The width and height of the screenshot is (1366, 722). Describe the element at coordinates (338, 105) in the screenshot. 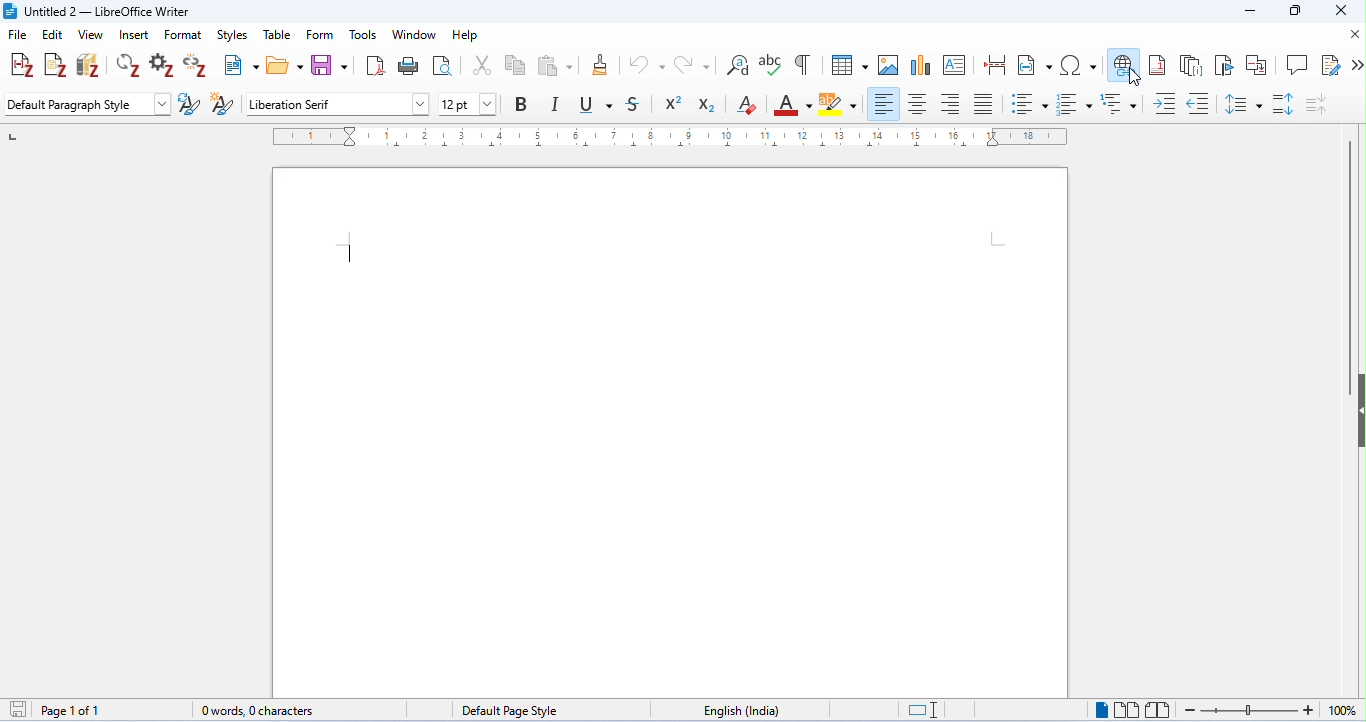

I see `font style` at that location.